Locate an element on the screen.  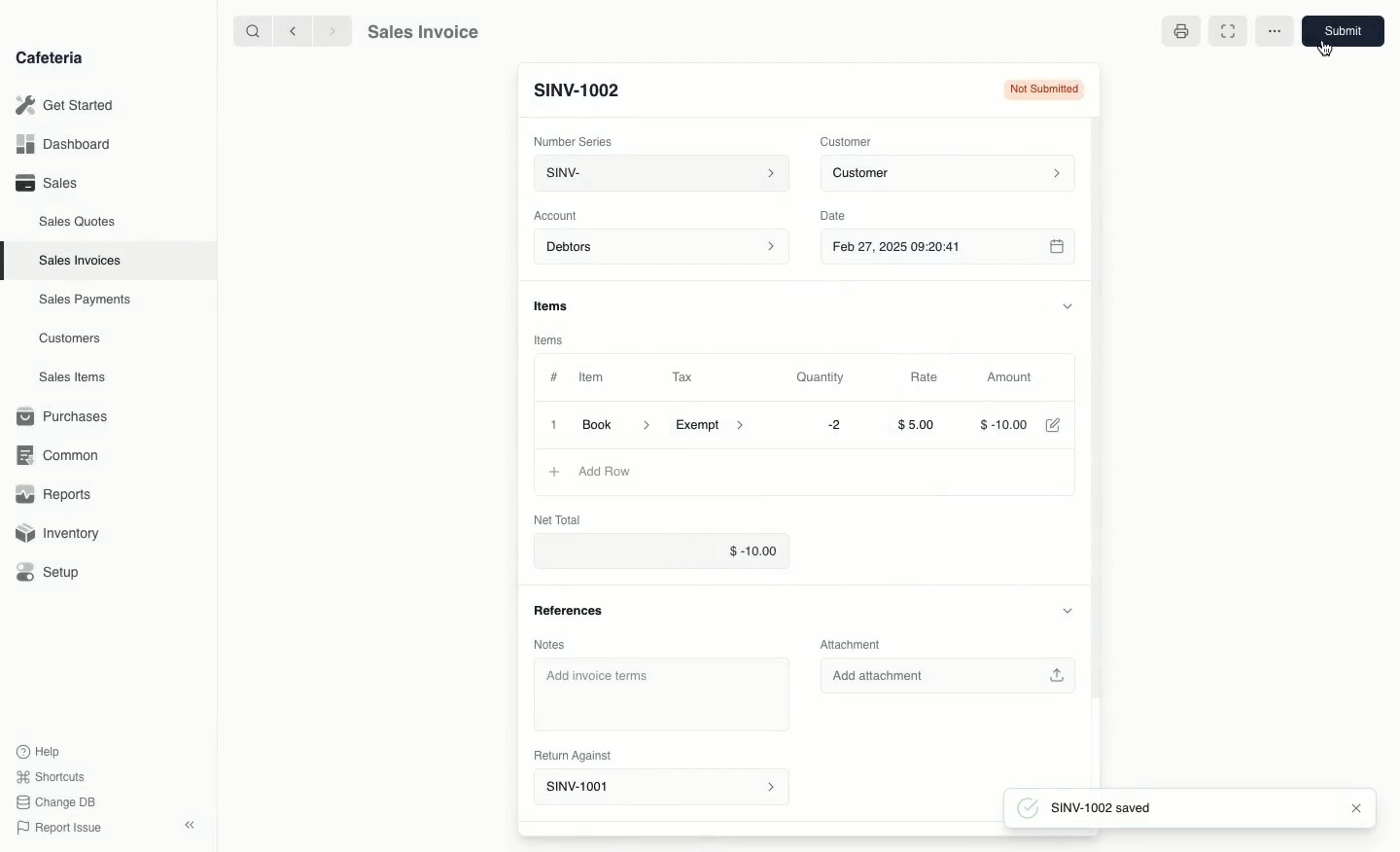
Add invoice terms is located at coordinates (659, 693).